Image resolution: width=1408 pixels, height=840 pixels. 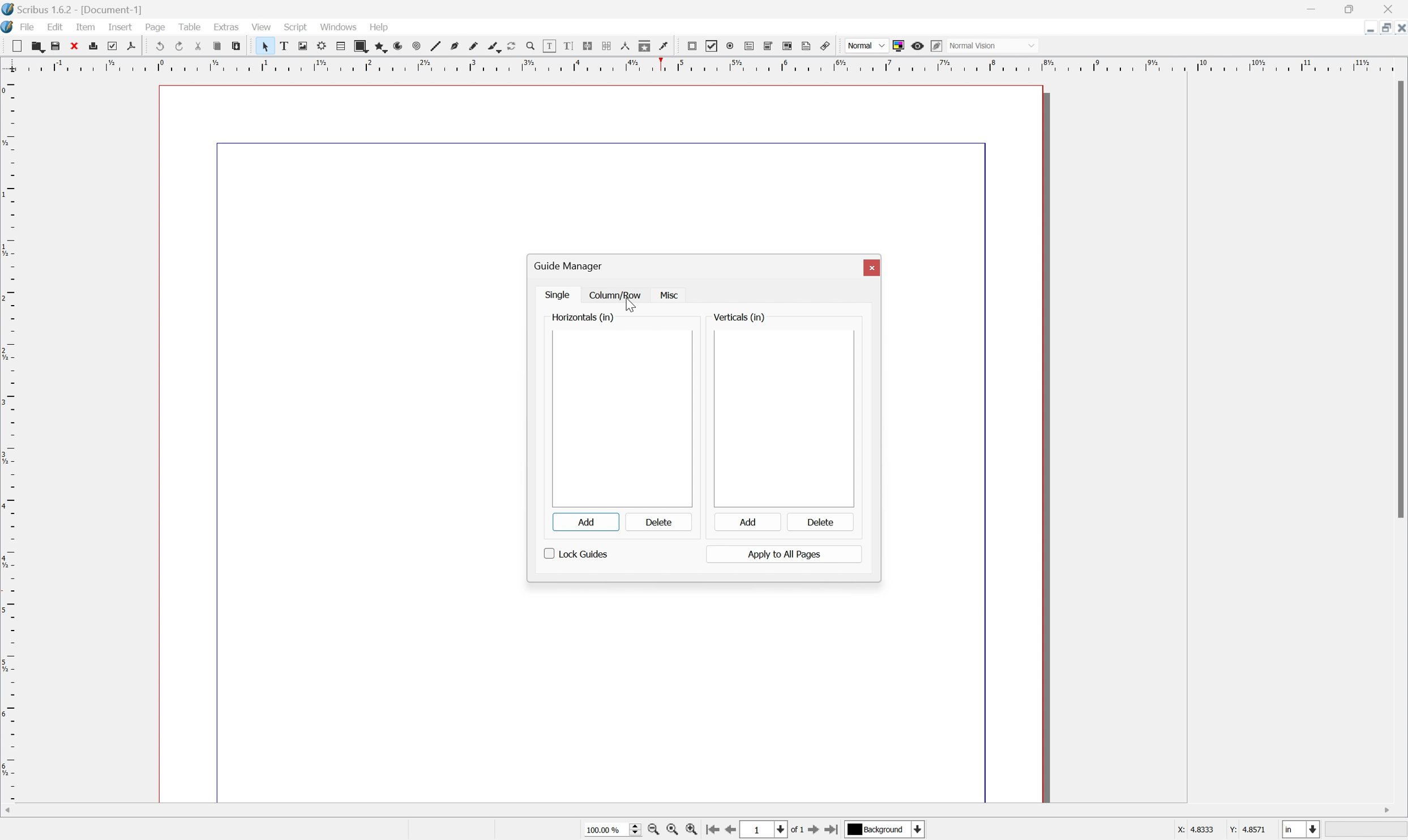 What do you see at coordinates (99, 48) in the screenshot?
I see `print` at bounding box center [99, 48].